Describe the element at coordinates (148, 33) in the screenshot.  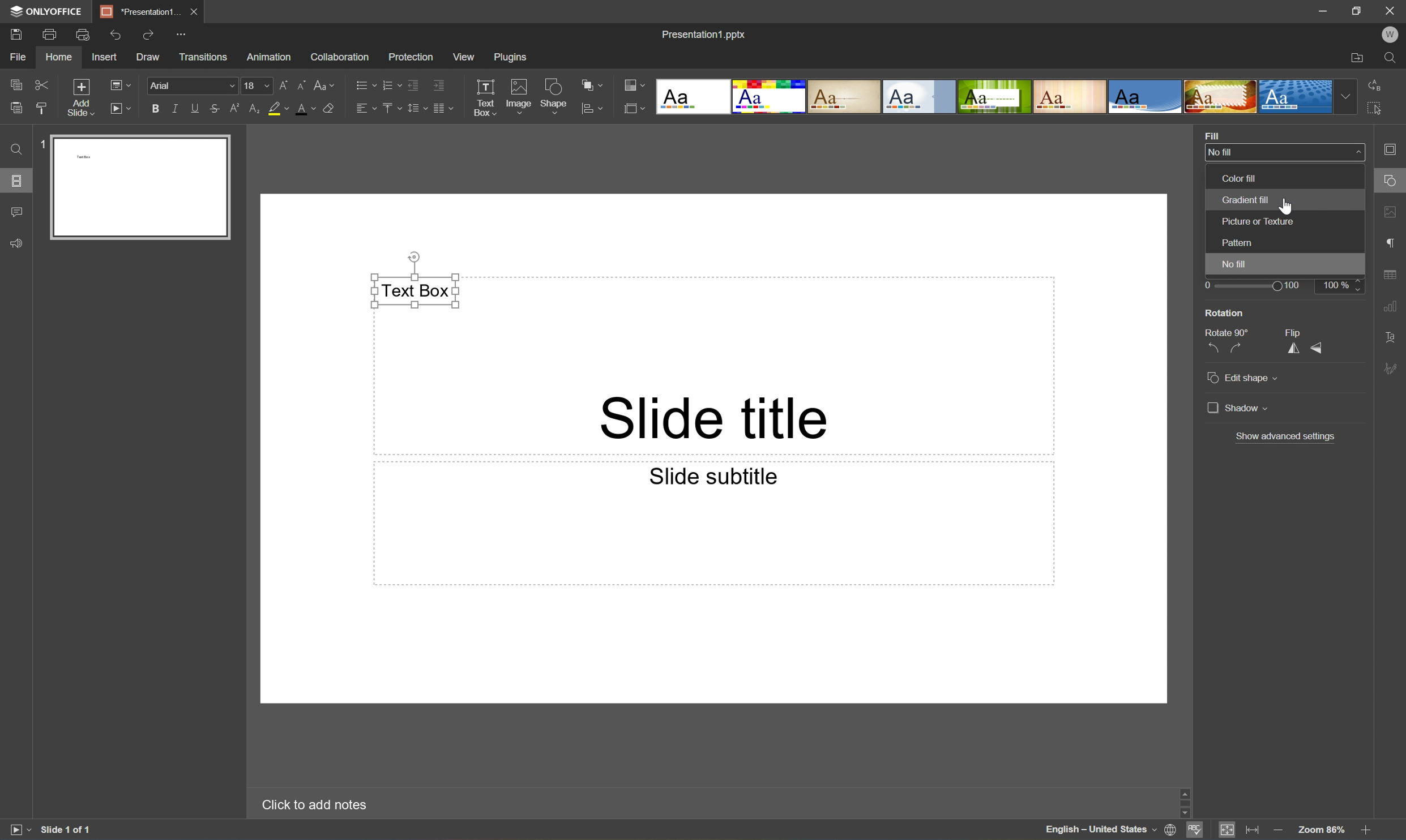
I see `Redo` at that location.